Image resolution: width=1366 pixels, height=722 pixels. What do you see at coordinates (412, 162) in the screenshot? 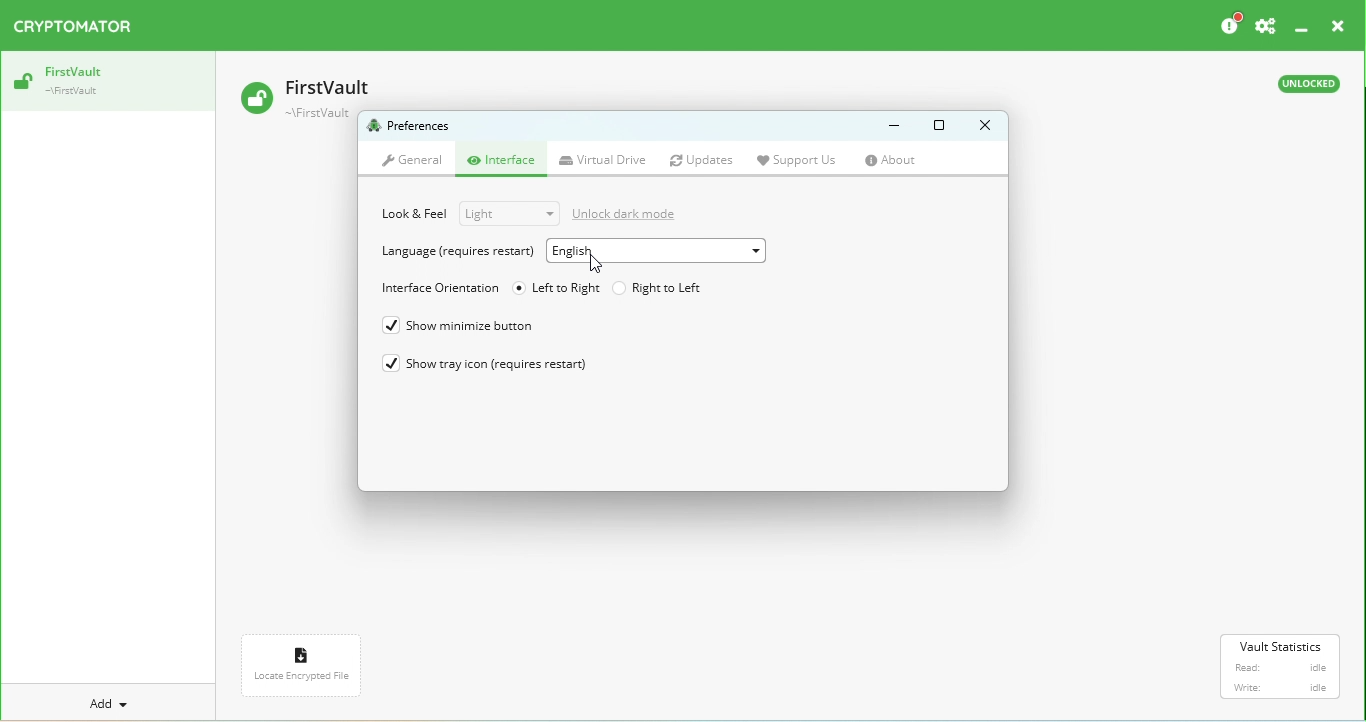
I see `General` at bounding box center [412, 162].